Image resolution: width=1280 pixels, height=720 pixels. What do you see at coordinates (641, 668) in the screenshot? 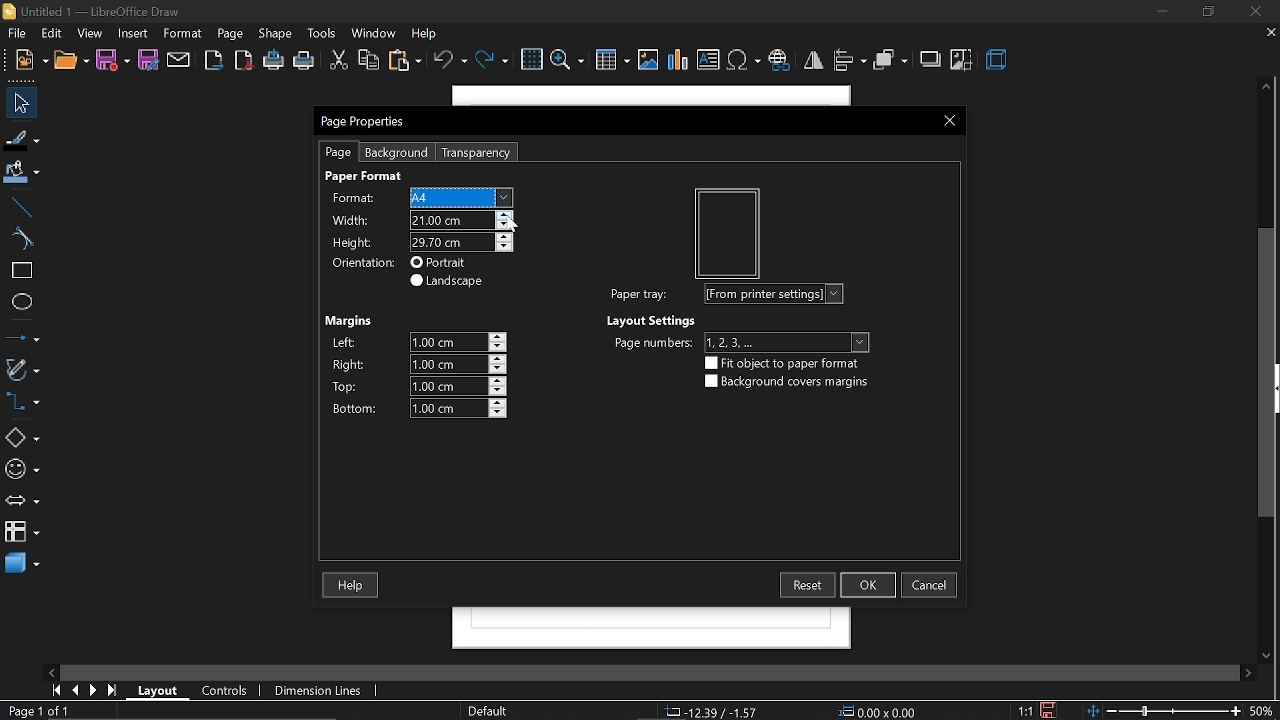
I see `scroll` at bounding box center [641, 668].